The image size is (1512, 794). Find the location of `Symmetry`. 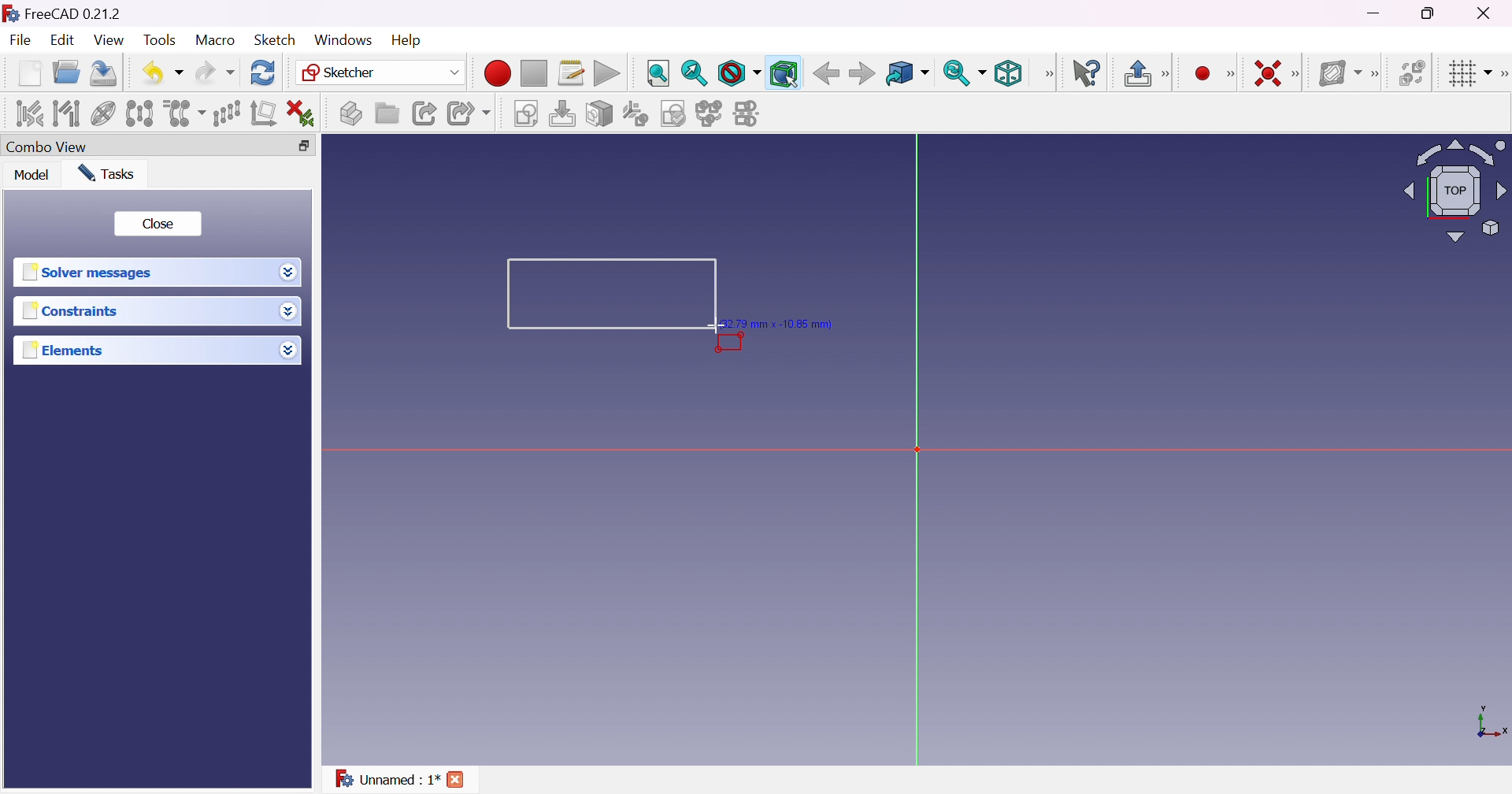

Symmetry is located at coordinates (139, 113).